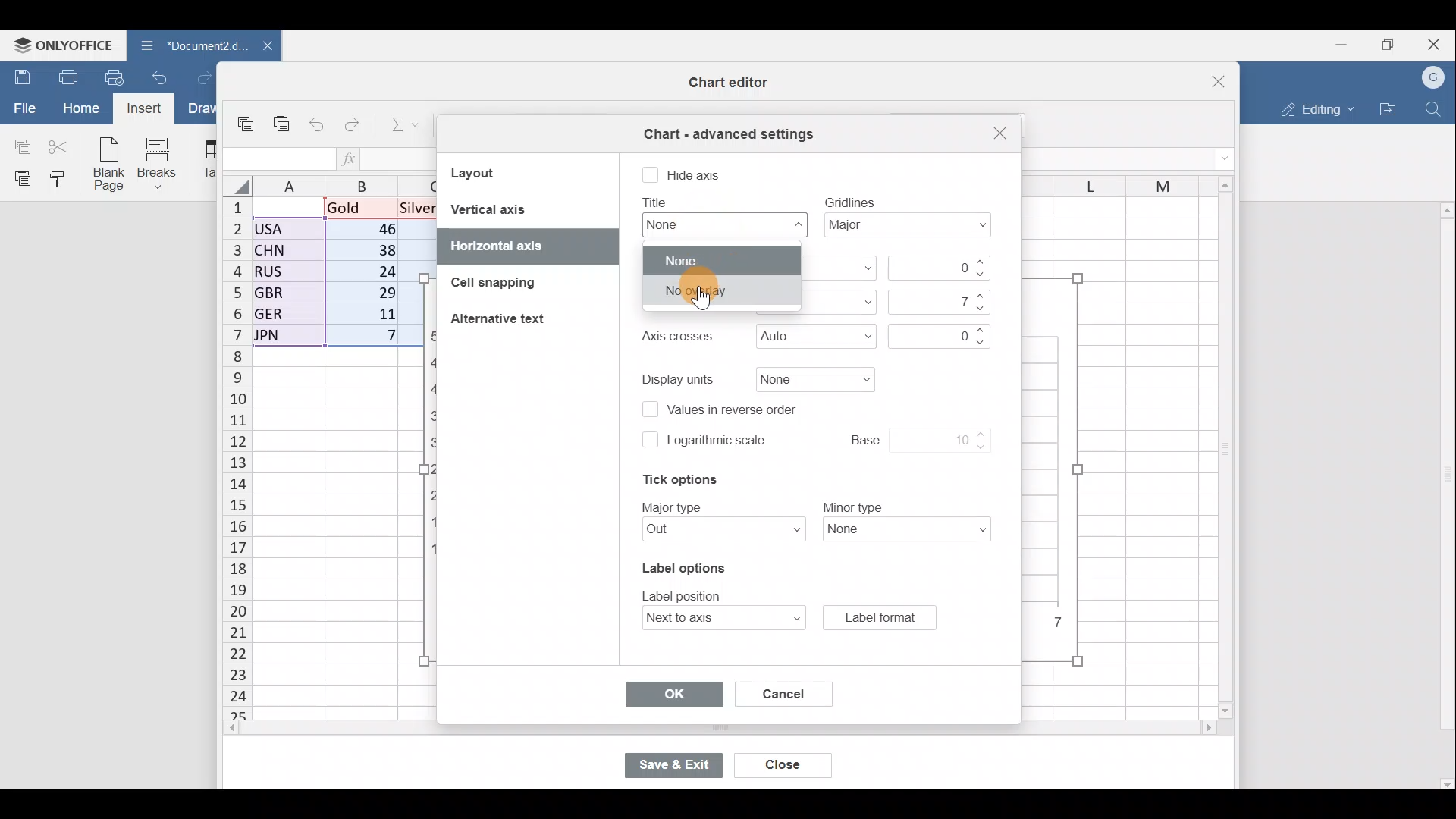 The width and height of the screenshot is (1456, 819). Describe the element at coordinates (879, 617) in the screenshot. I see `Label format` at that location.